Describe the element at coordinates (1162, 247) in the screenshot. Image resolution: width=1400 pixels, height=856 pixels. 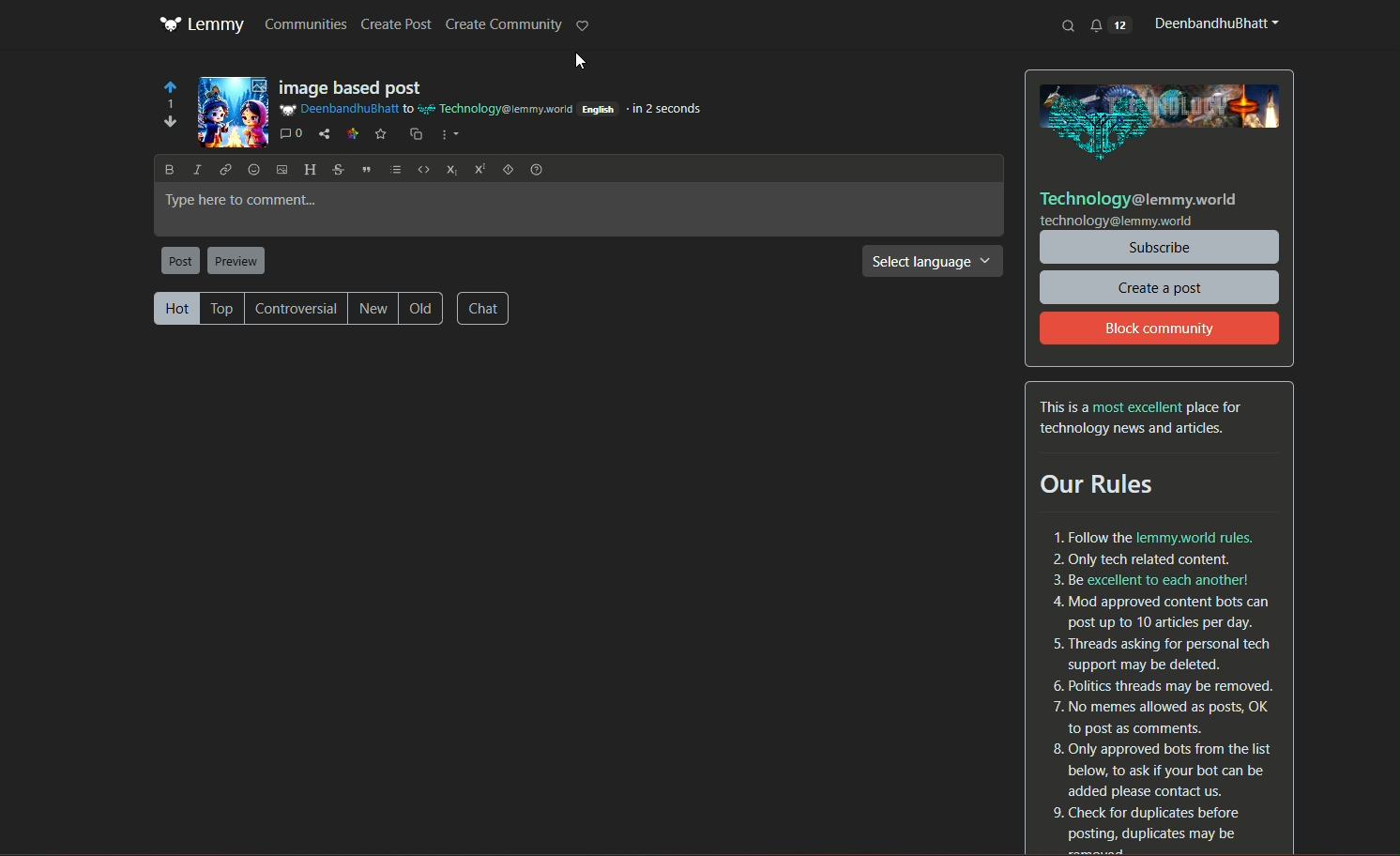
I see `Subscribe` at that location.